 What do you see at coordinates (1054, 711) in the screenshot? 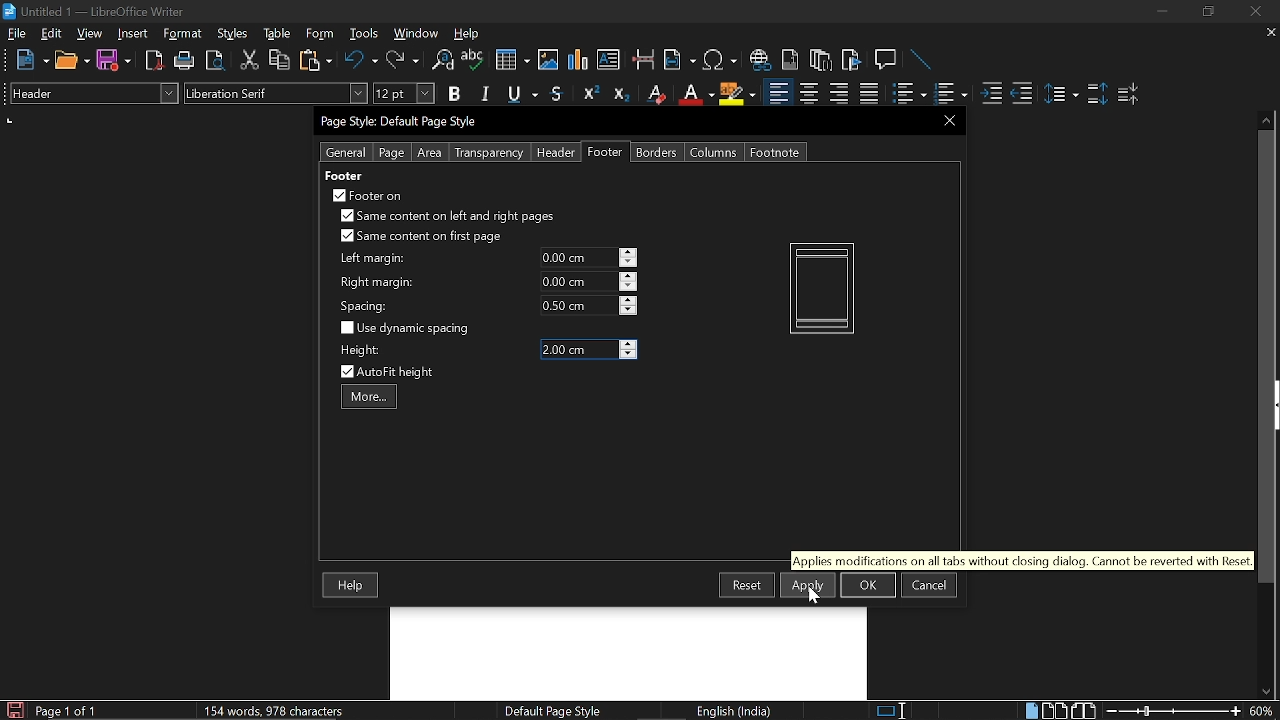
I see `Multiple page view` at bounding box center [1054, 711].